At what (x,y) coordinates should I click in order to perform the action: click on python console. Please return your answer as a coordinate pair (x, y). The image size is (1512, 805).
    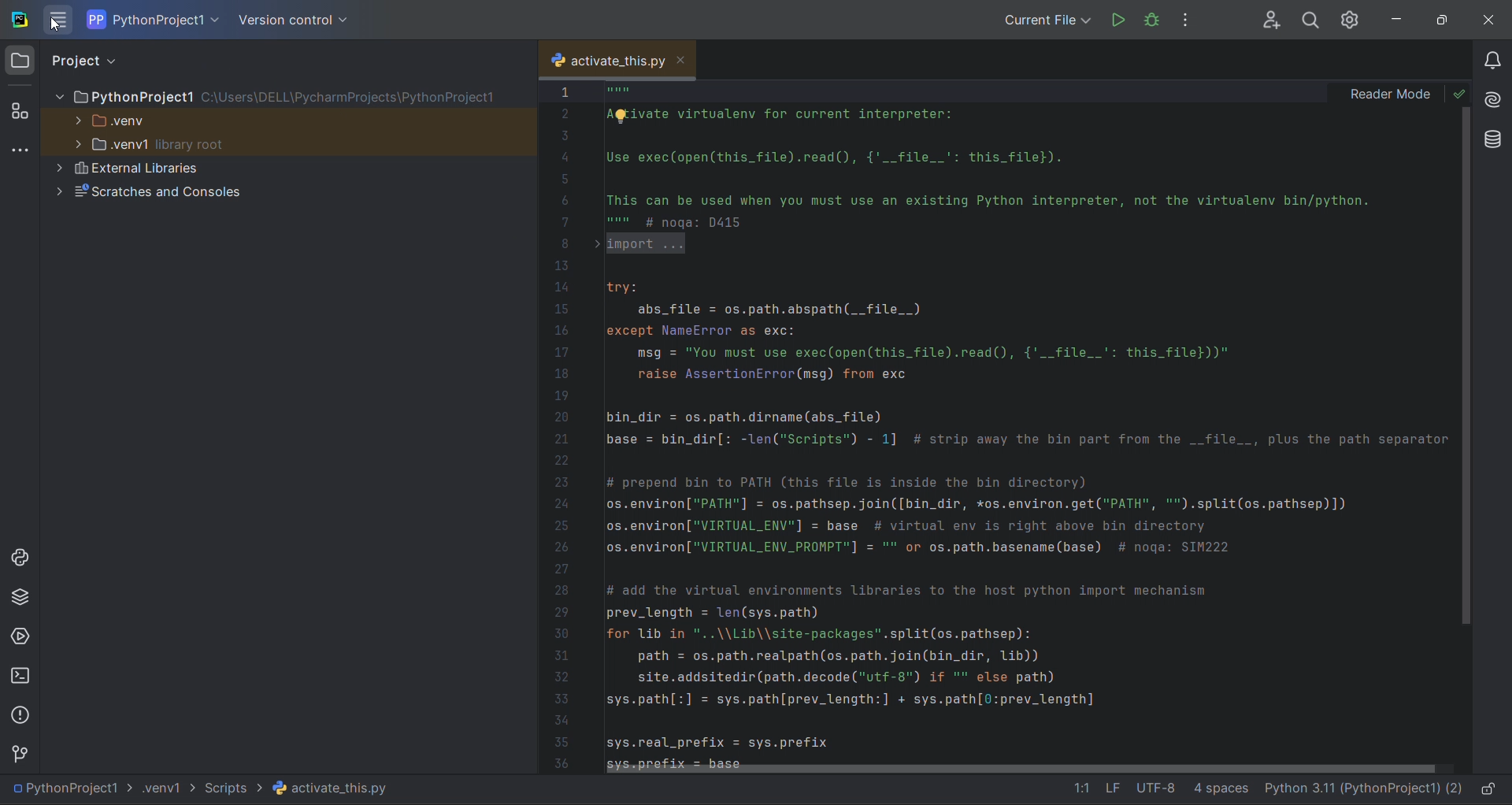
    Looking at the image, I should click on (22, 559).